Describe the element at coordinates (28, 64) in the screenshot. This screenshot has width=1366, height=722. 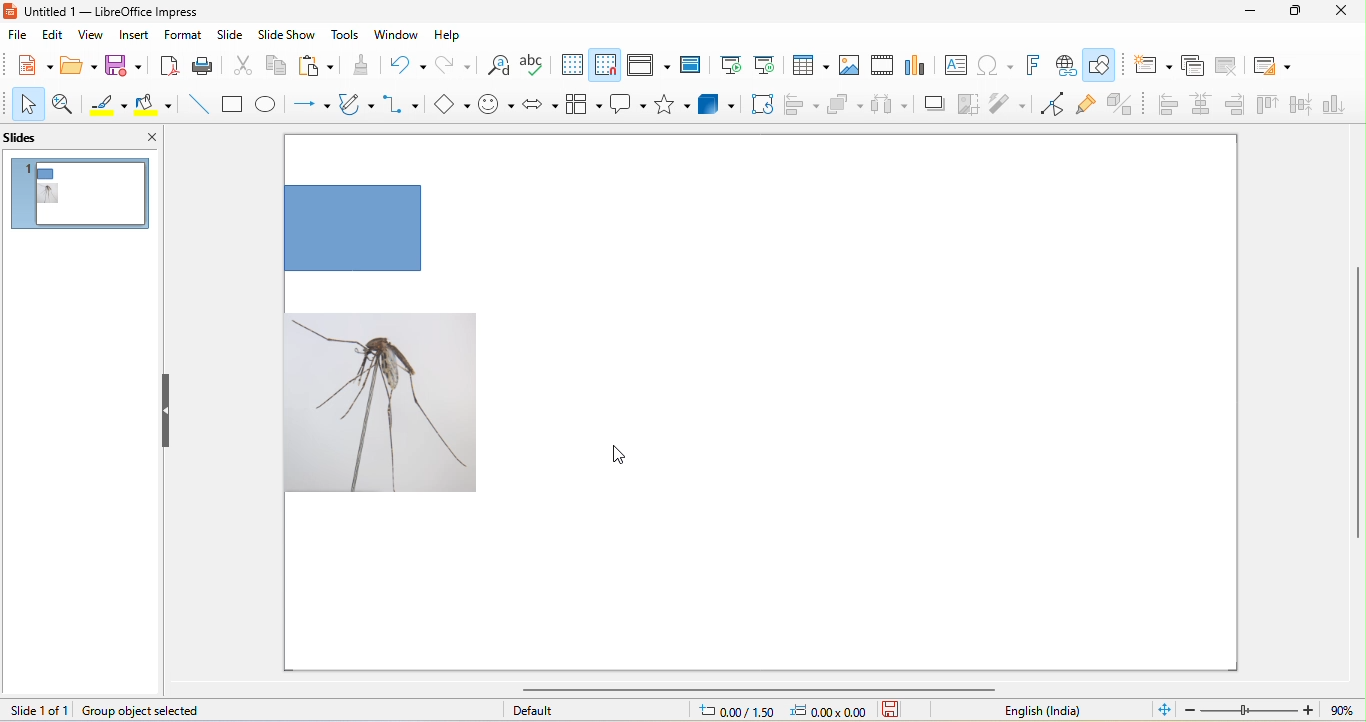
I see `new` at that location.